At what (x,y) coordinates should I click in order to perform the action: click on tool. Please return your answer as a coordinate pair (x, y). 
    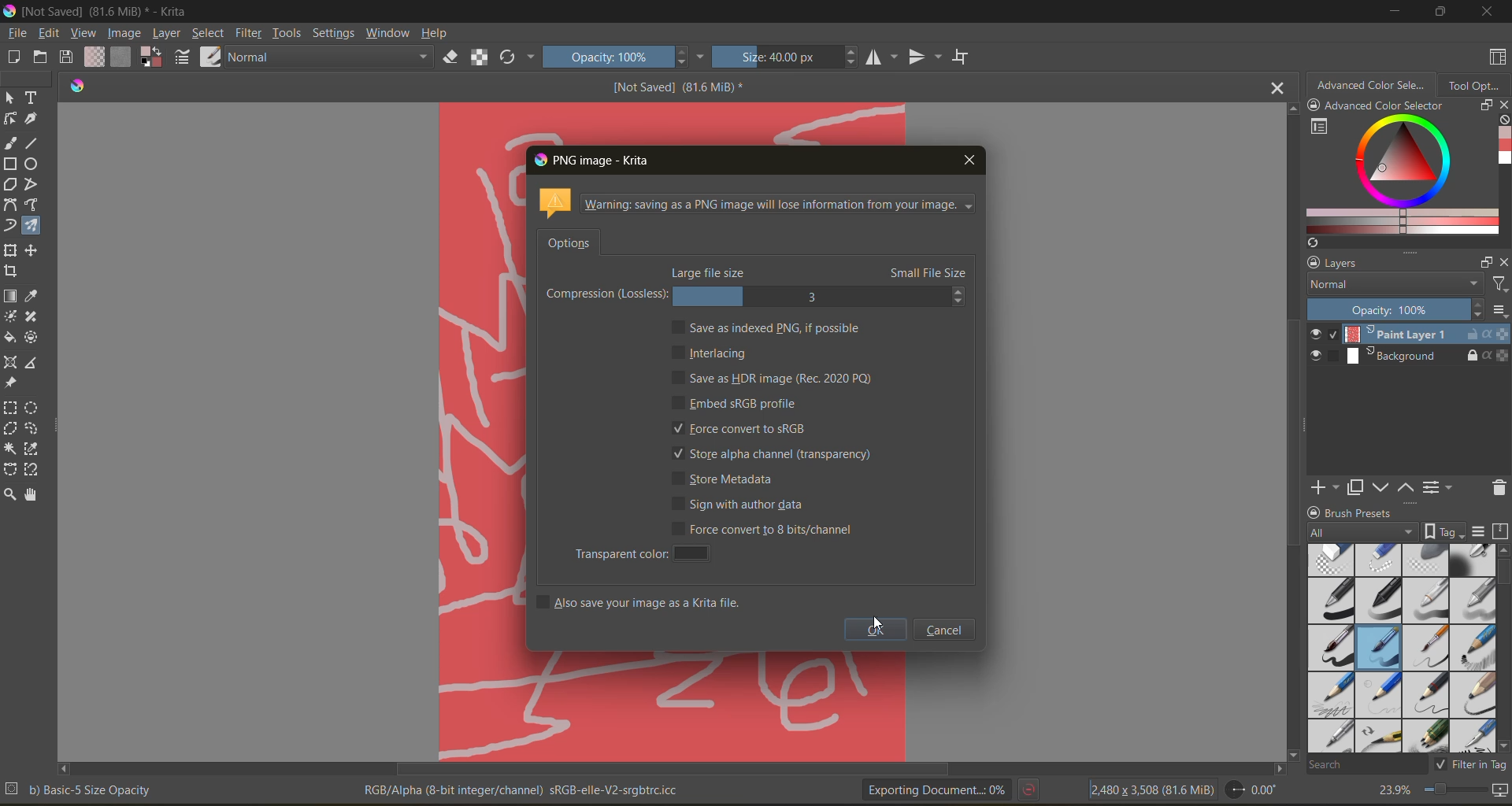
    Looking at the image, I should click on (11, 272).